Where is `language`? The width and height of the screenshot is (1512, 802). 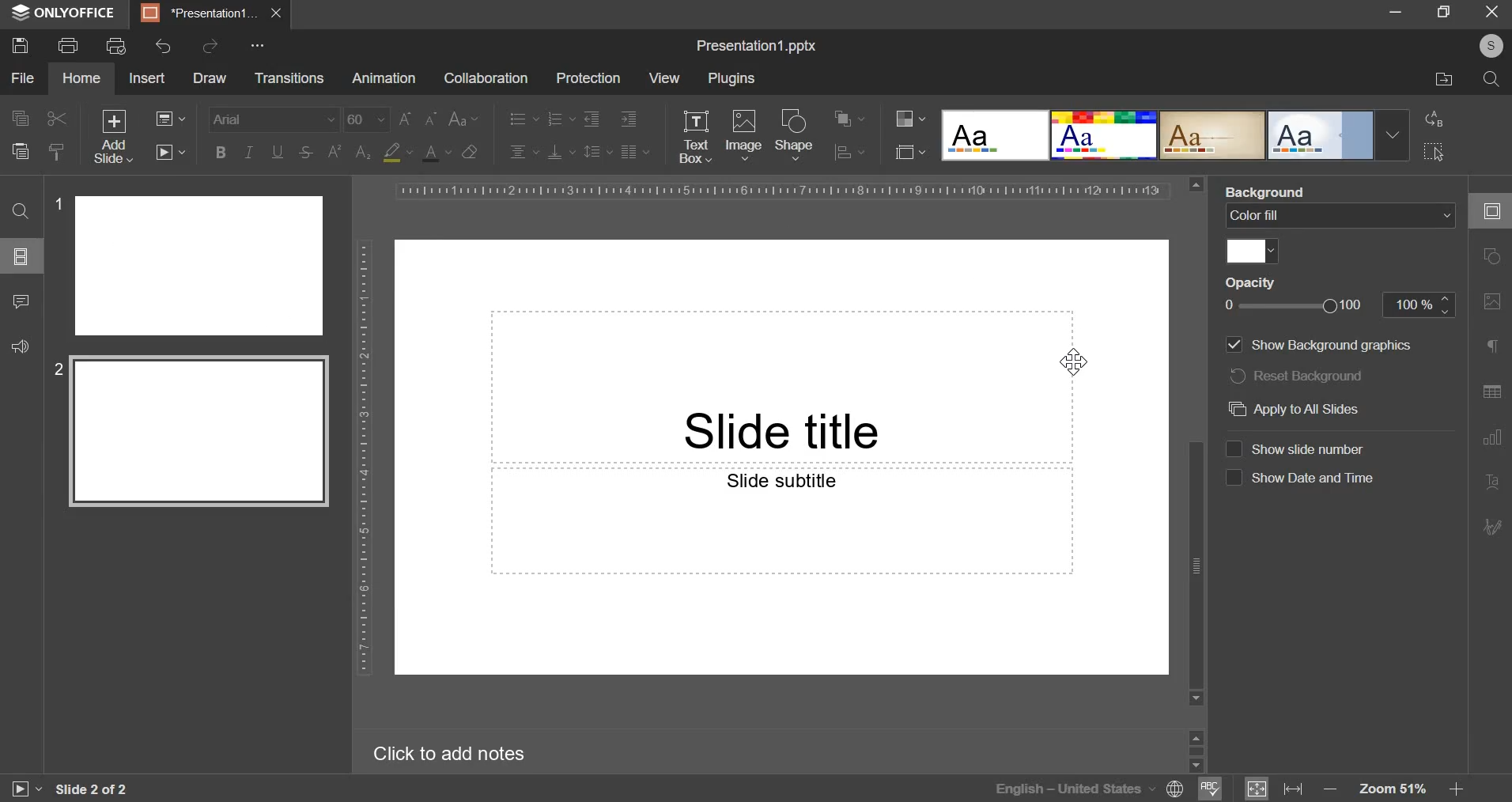
language is located at coordinates (1074, 789).